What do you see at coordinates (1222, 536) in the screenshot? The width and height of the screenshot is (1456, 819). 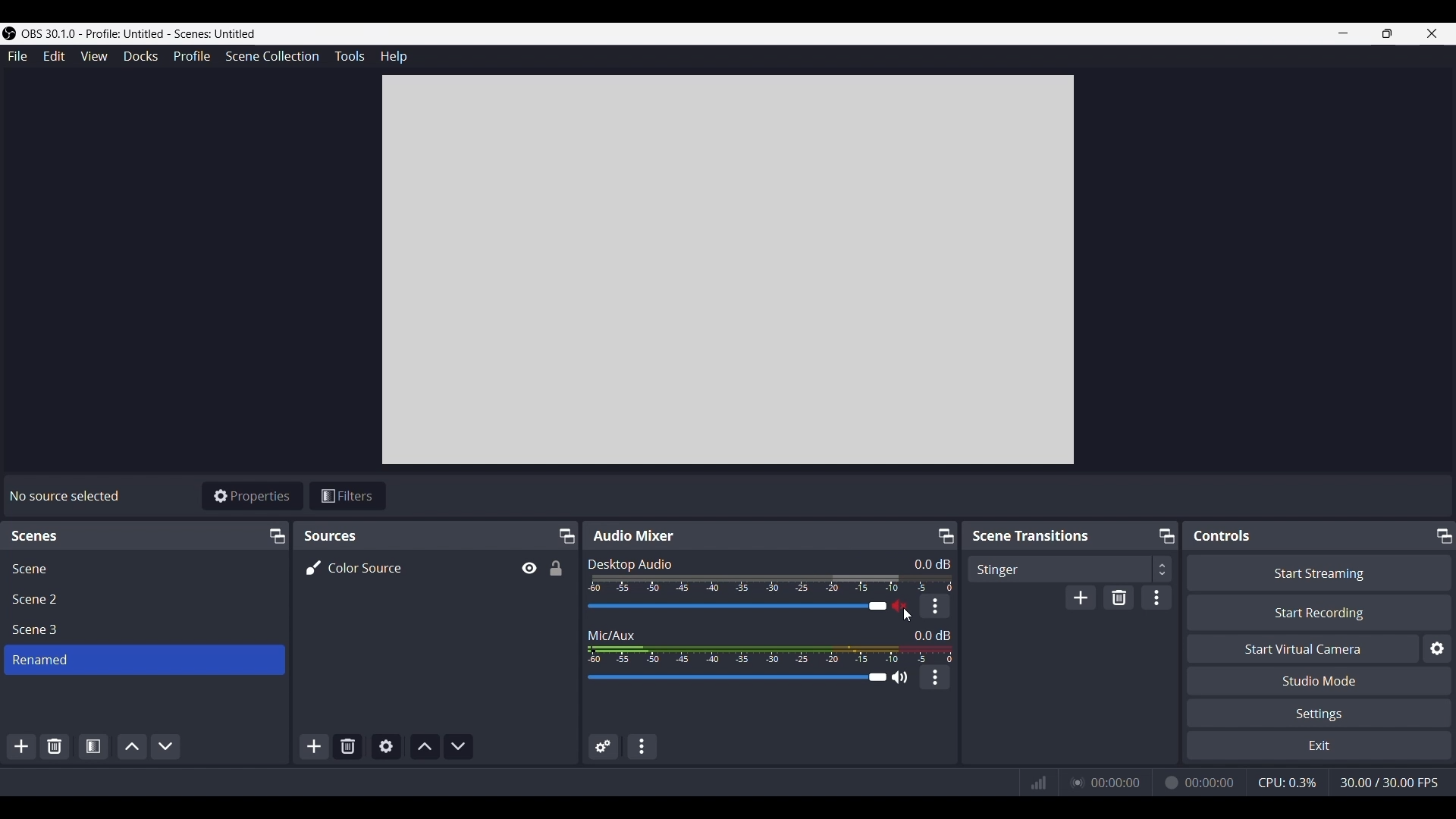 I see `Controls` at bounding box center [1222, 536].